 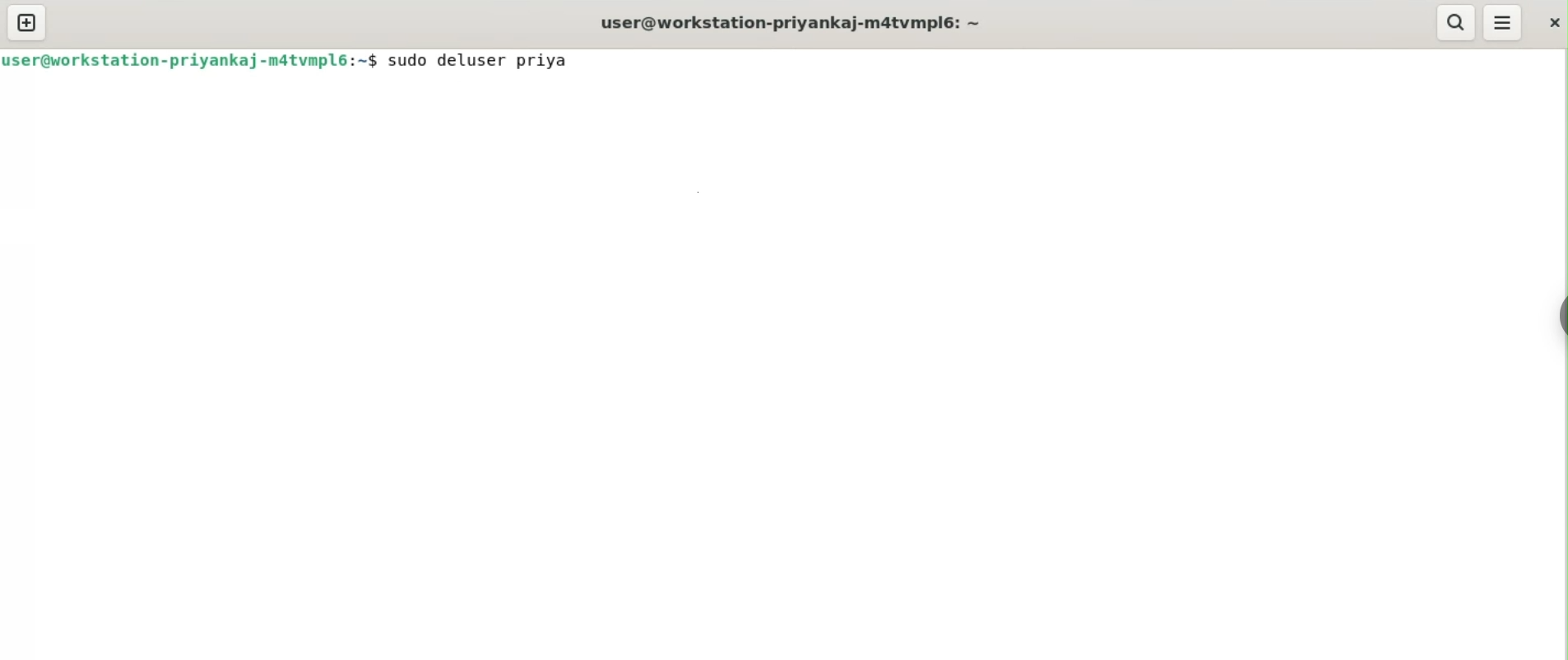 What do you see at coordinates (1456, 22) in the screenshot?
I see `search` at bounding box center [1456, 22].